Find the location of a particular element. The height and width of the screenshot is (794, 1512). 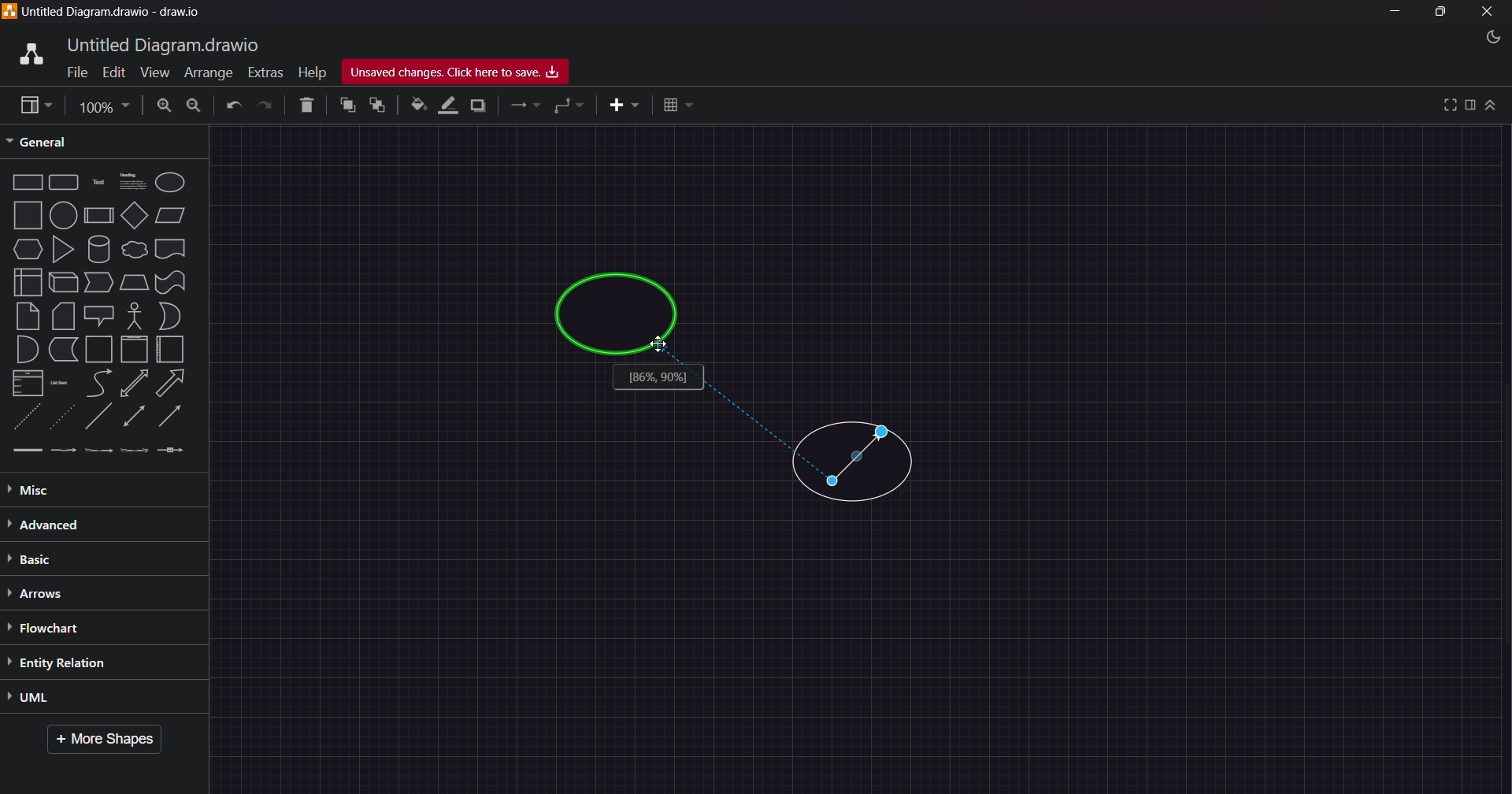

File is located at coordinates (74, 73).